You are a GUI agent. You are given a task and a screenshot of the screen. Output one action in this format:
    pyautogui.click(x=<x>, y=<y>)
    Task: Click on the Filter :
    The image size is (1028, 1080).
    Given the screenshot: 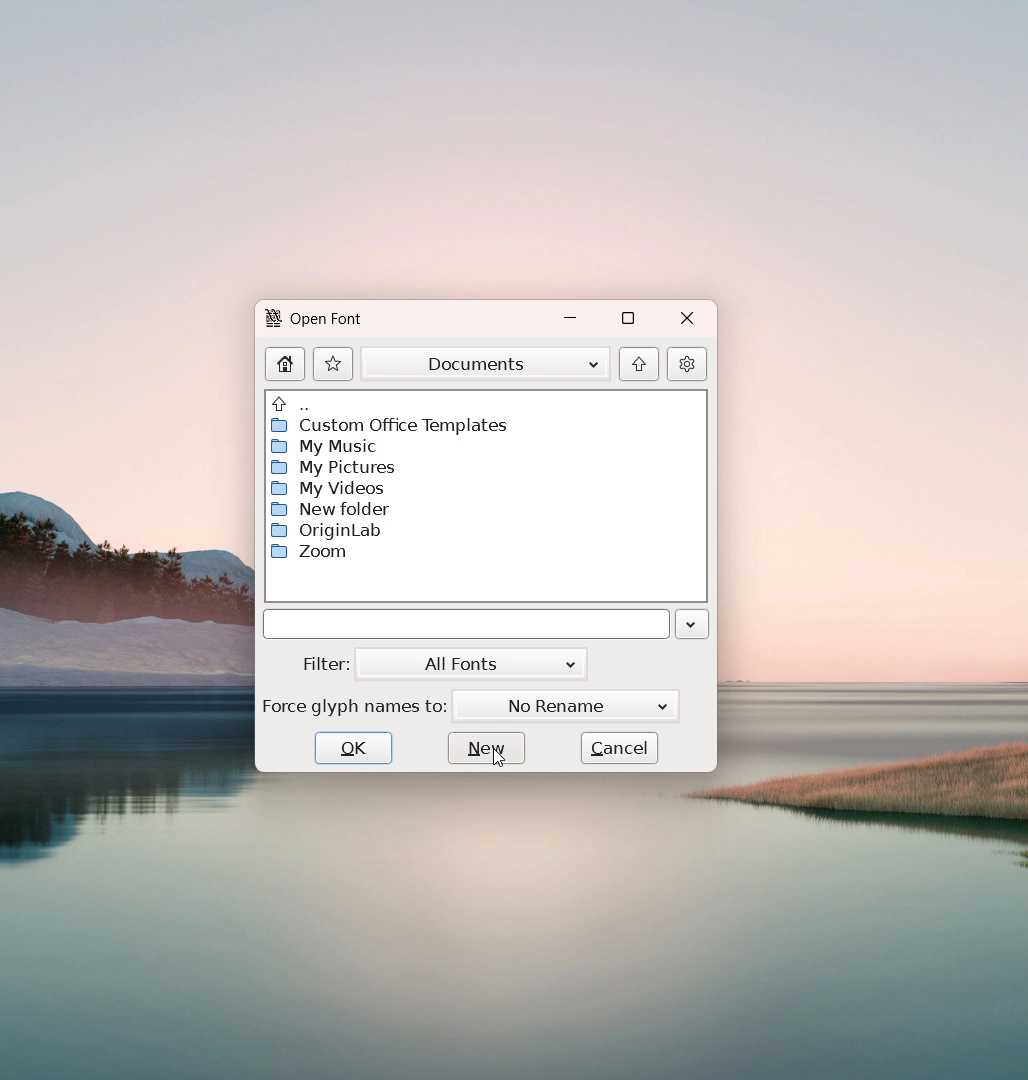 What is the action you would take?
    pyautogui.click(x=327, y=664)
    